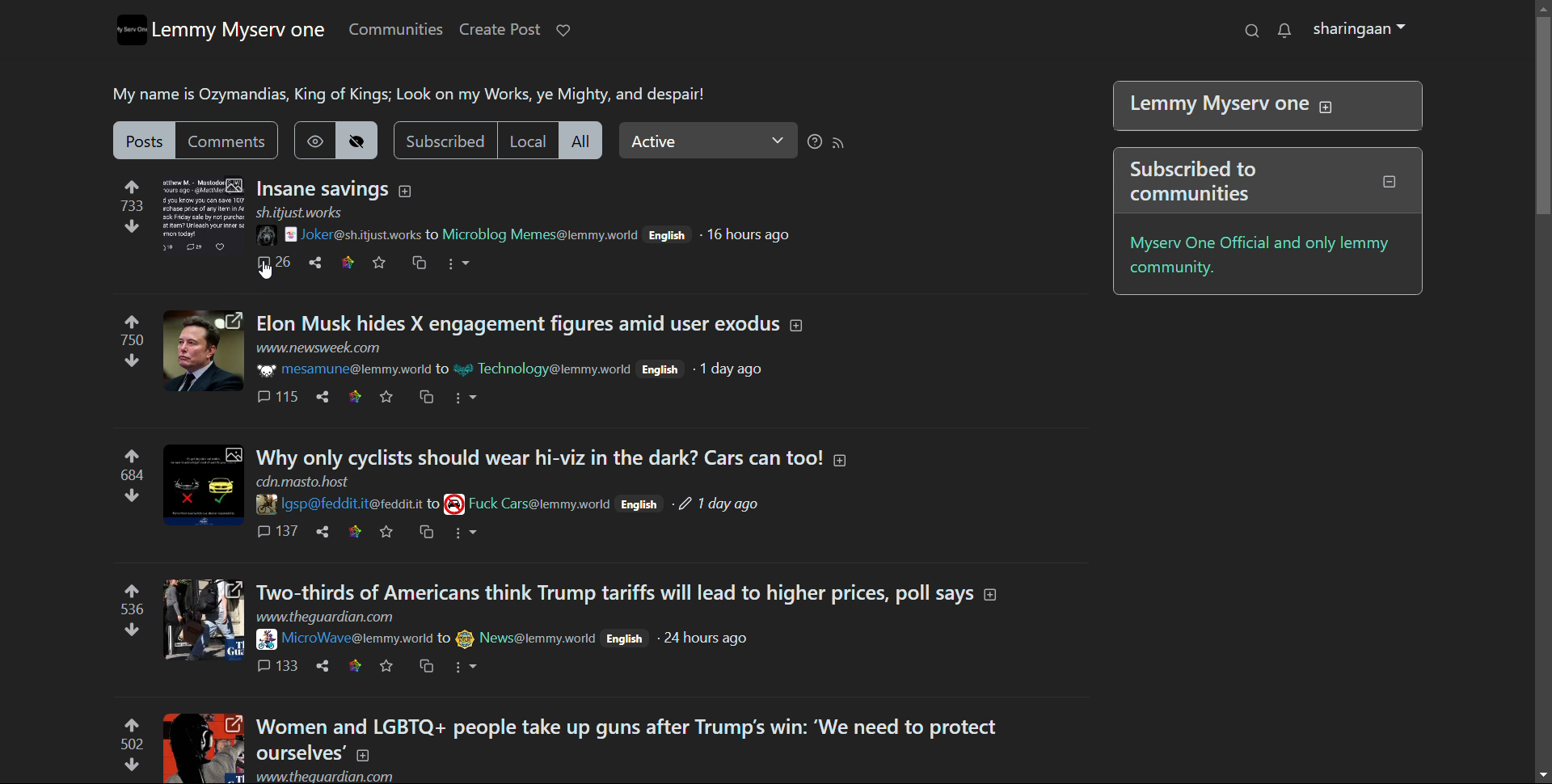 The height and width of the screenshot is (784, 1552). I want to click on 502, so click(131, 744).